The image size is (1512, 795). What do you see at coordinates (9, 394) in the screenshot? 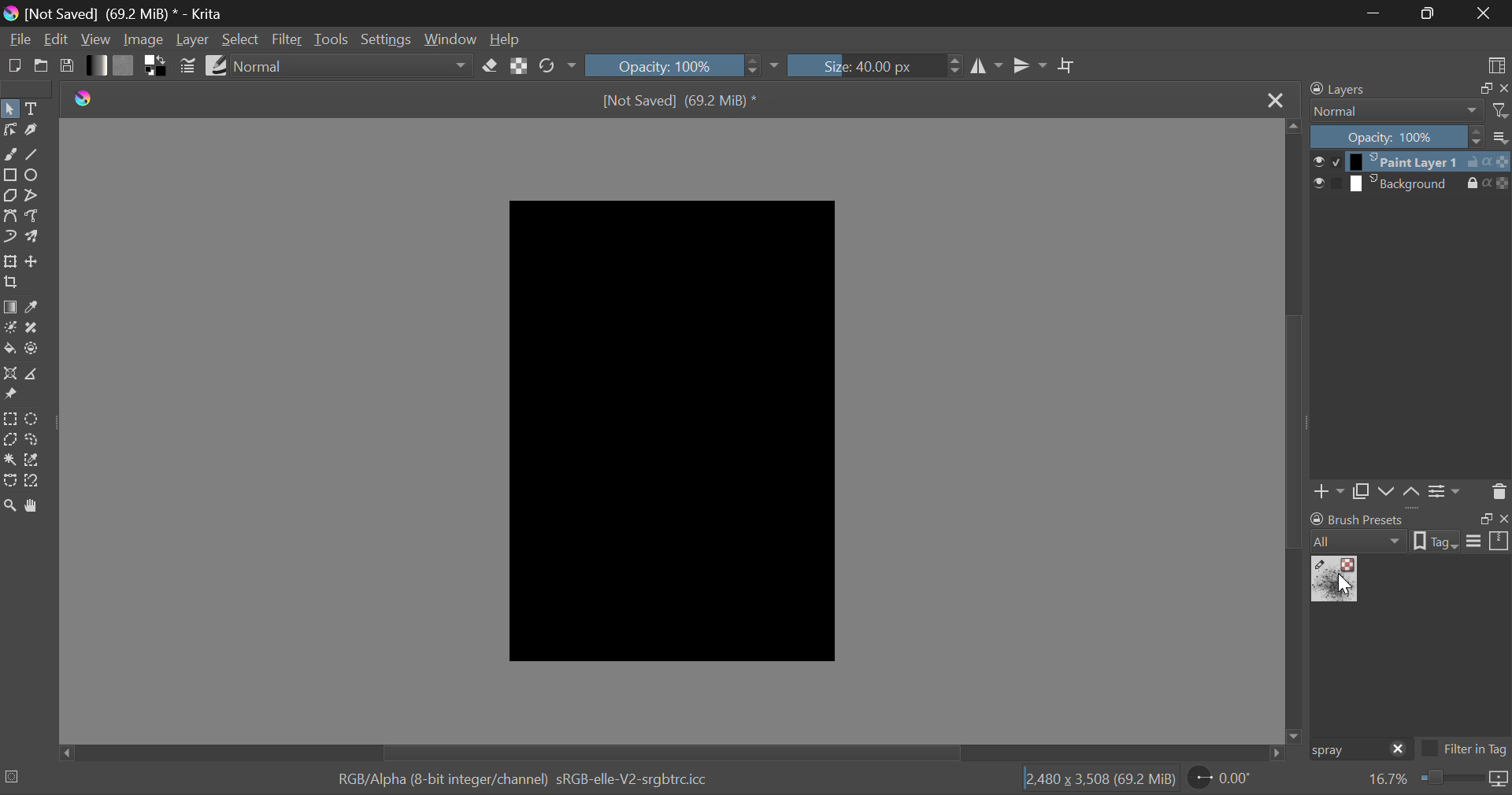
I see `Reference Images` at bounding box center [9, 394].